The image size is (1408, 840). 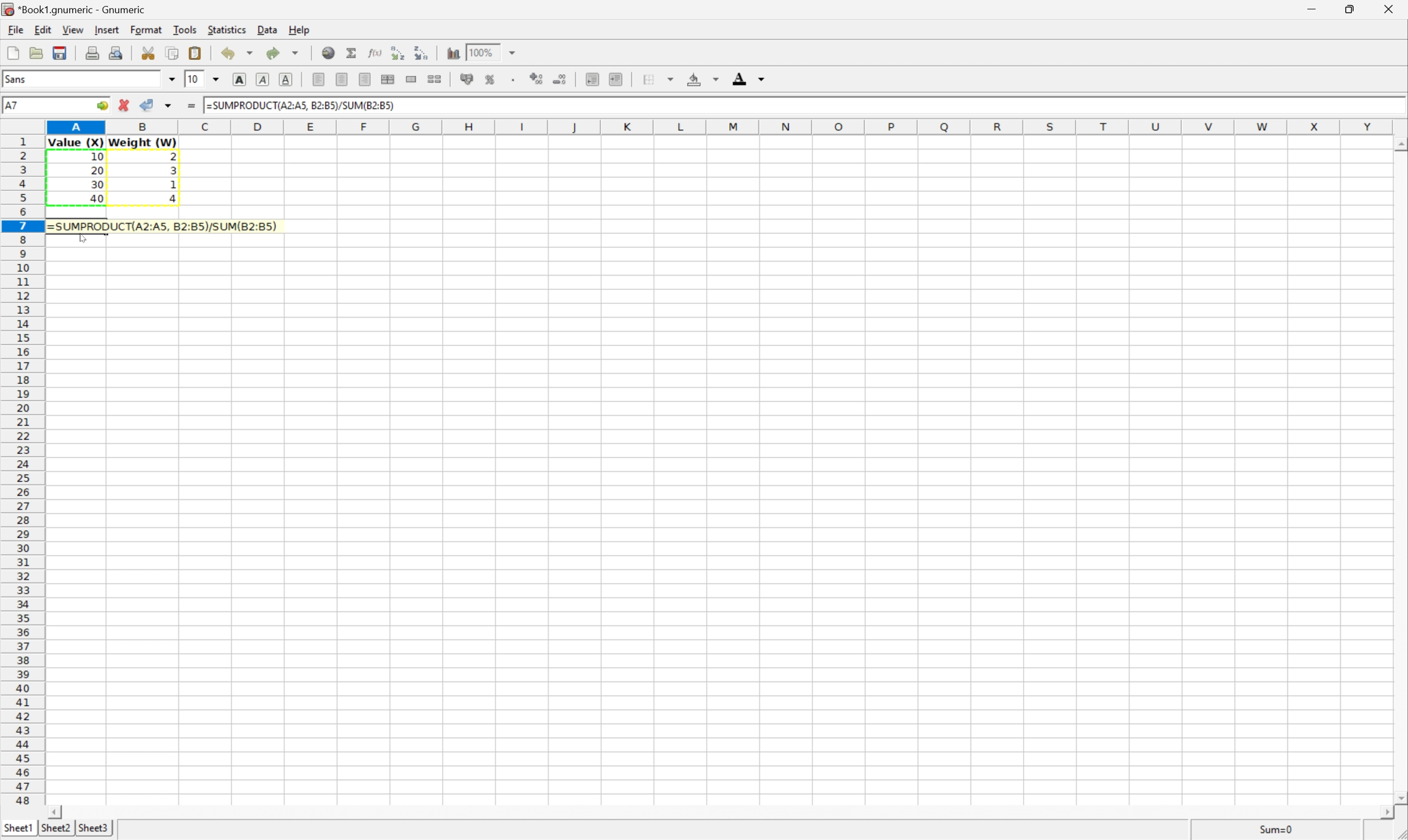 What do you see at coordinates (122, 105) in the screenshot?
I see `Cancel changes` at bounding box center [122, 105].